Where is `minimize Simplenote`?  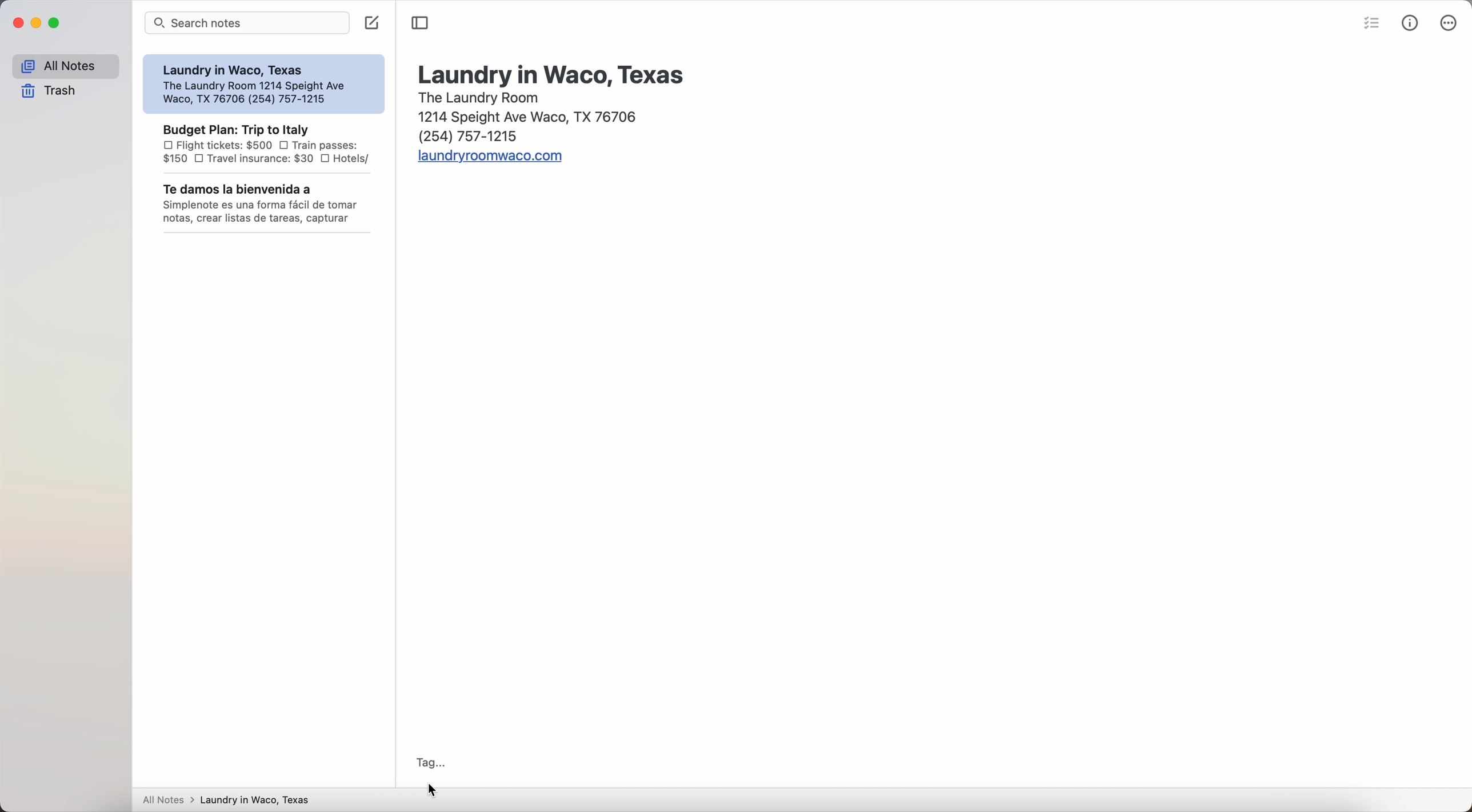
minimize Simplenote is located at coordinates (38, 23).